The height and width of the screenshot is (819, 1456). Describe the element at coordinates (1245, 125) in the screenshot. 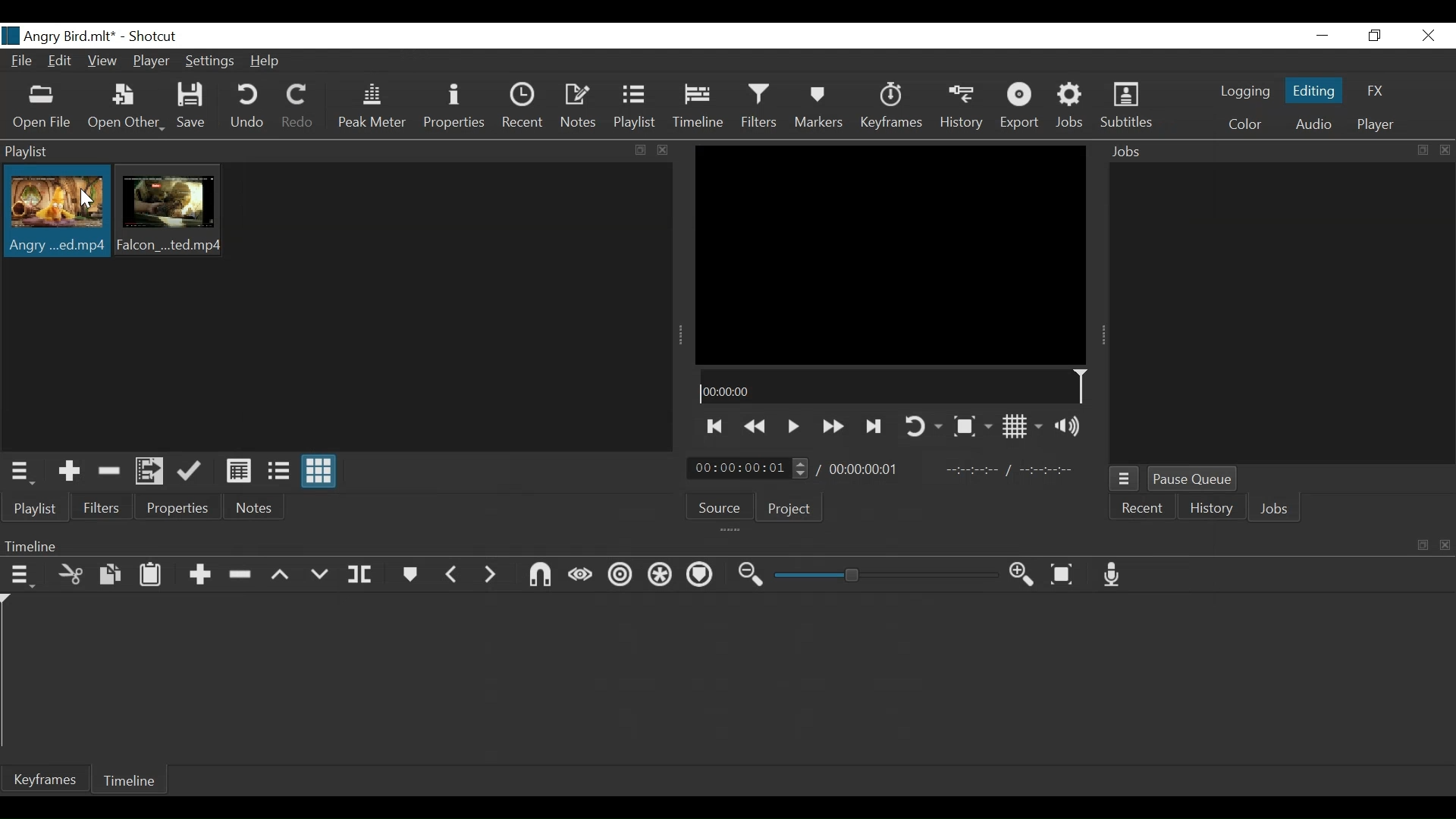

I see `Color` at that location.